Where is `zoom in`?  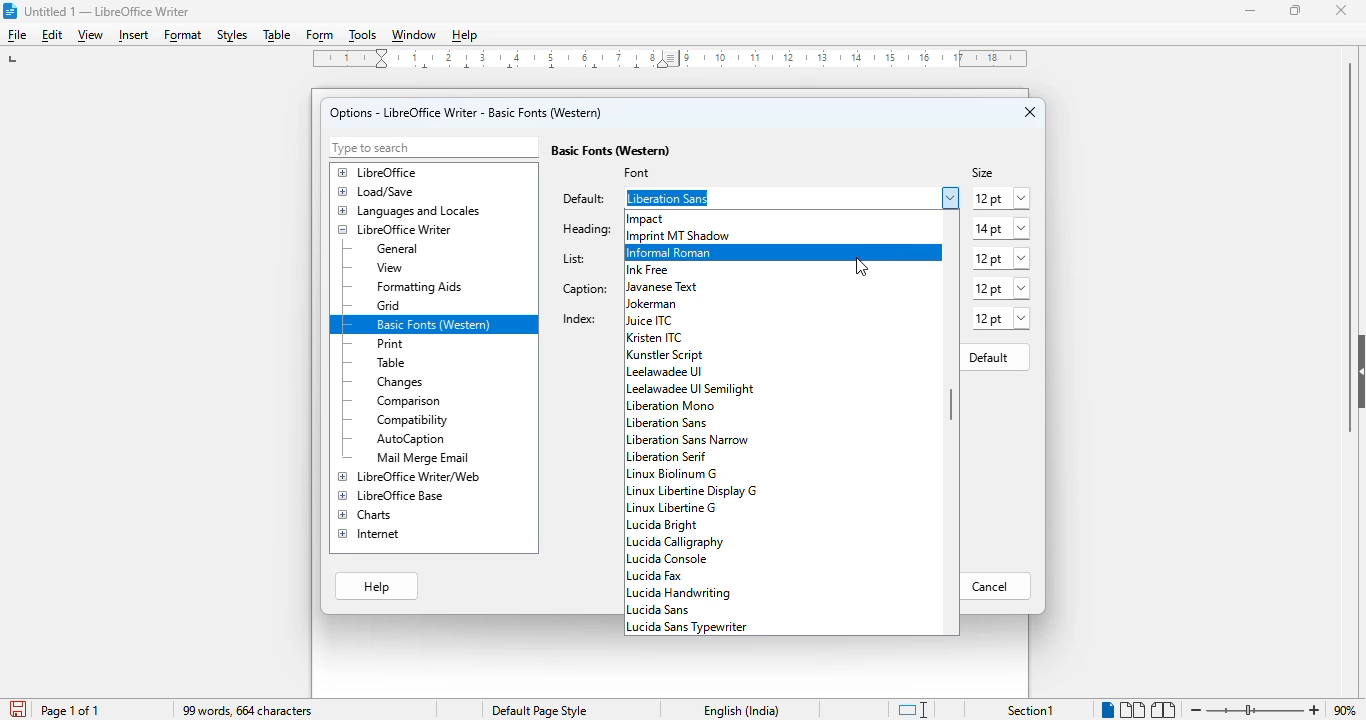
zoom in is located at coordinates (1316, 709).